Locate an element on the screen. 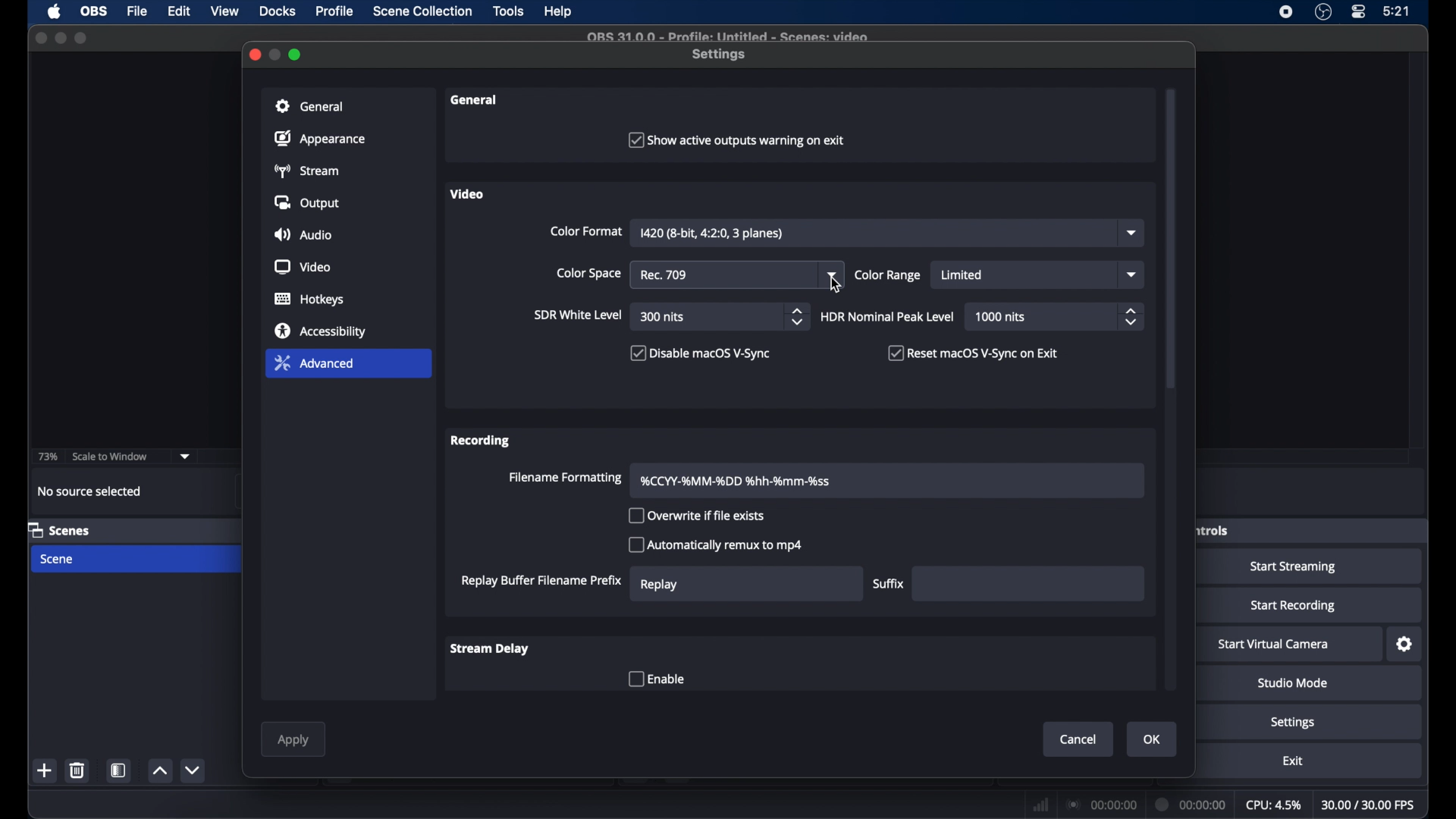 The width and height of the screenshot is (1456, 819). time is located at coordinates (1398, 11).